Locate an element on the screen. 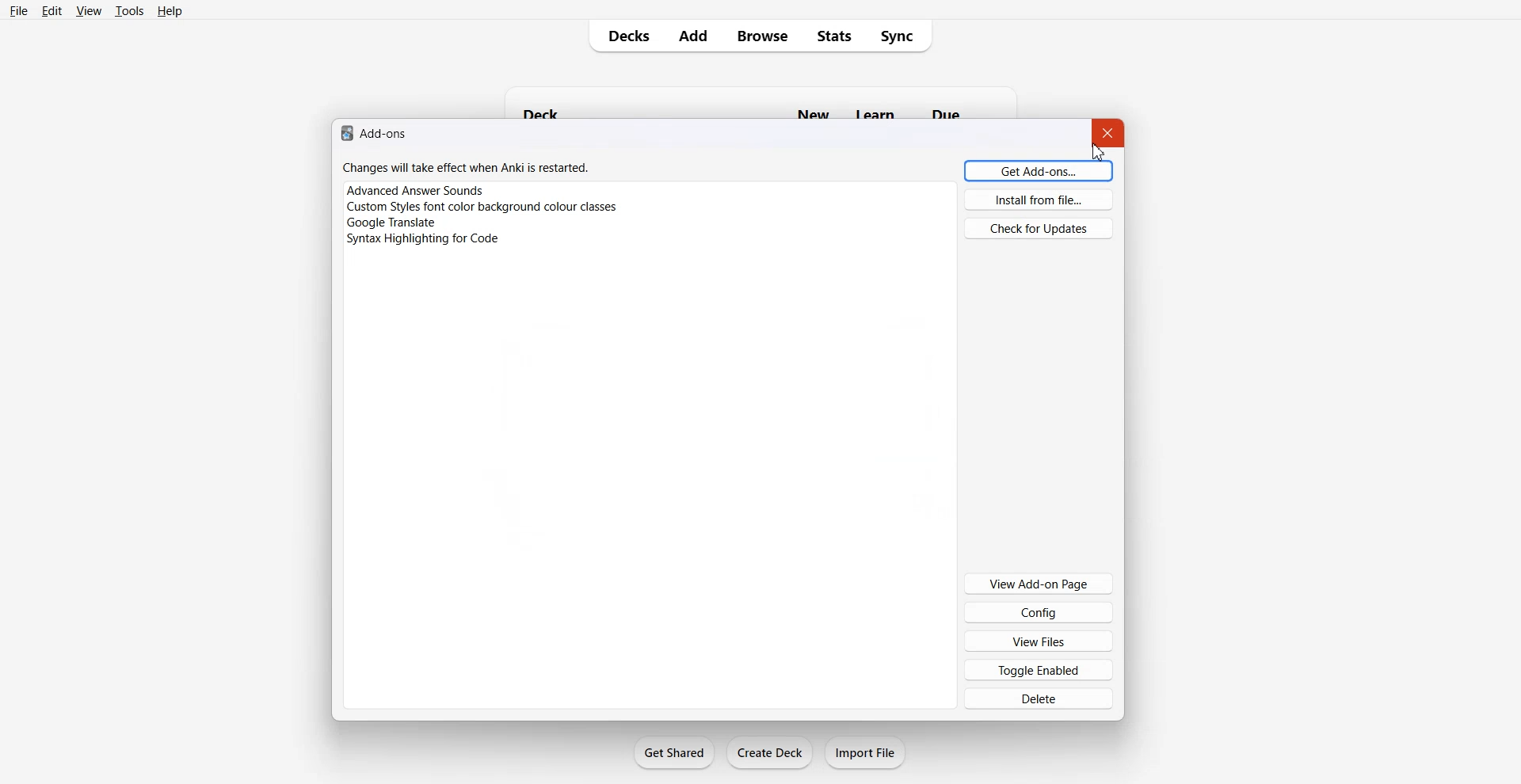  Plugins is located at coordinates (650, 207).